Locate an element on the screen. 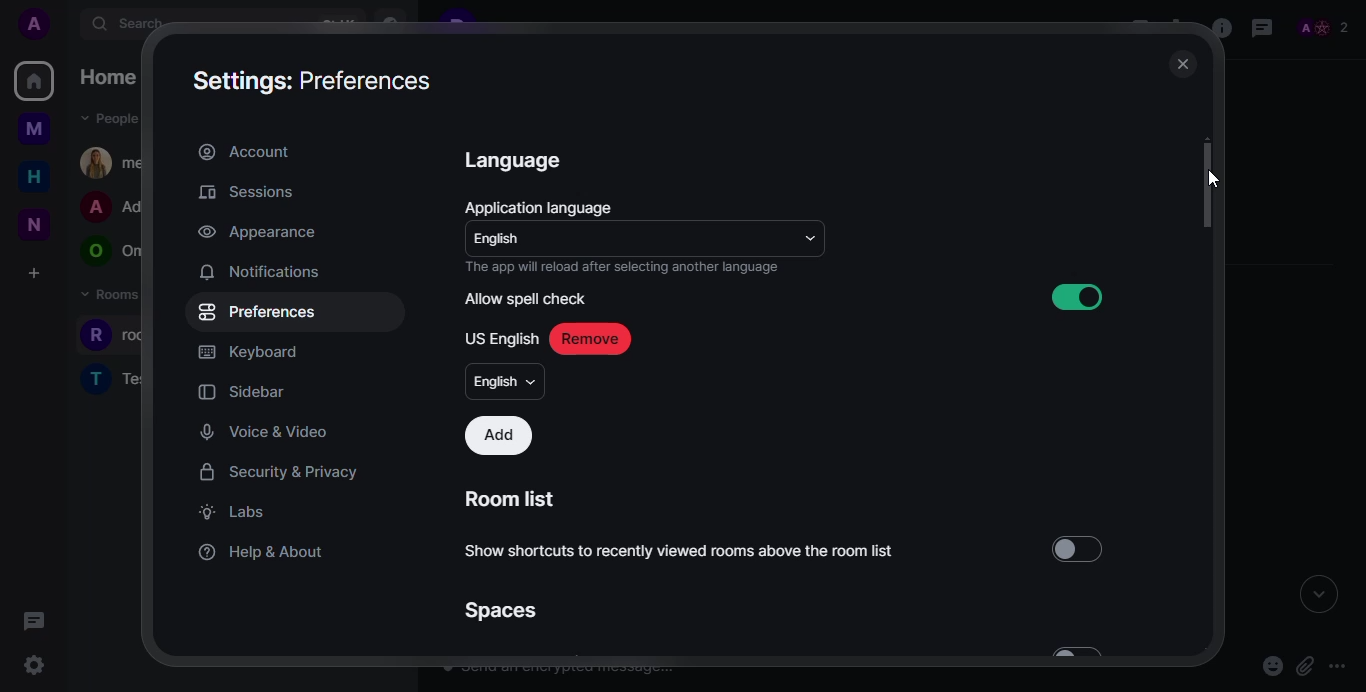 This screenshot has width=1366, height=692. rooms dropdown is located at coordinates (116, 295).